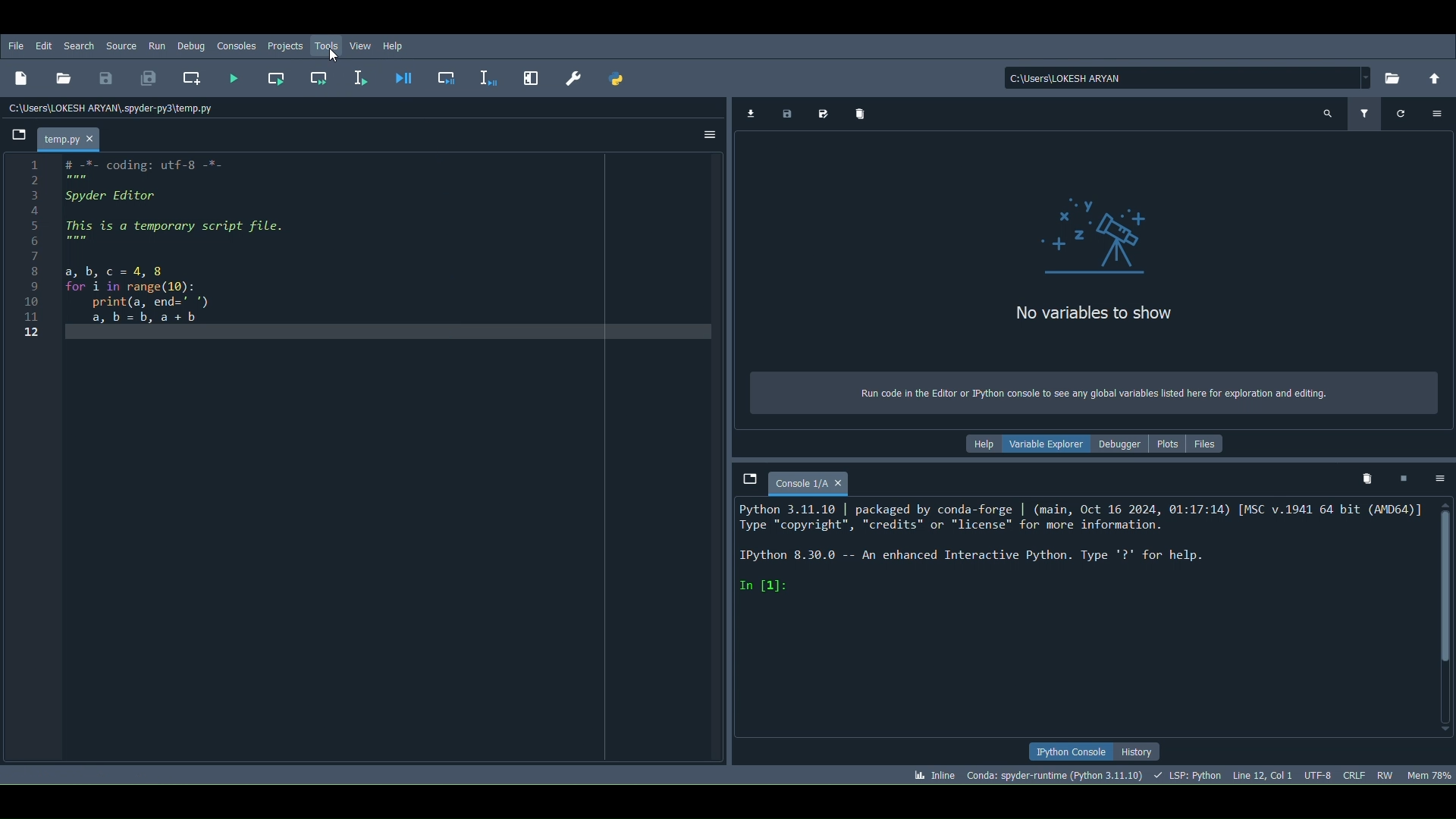  I want to click on Variable explorer, so click(1043, 443).